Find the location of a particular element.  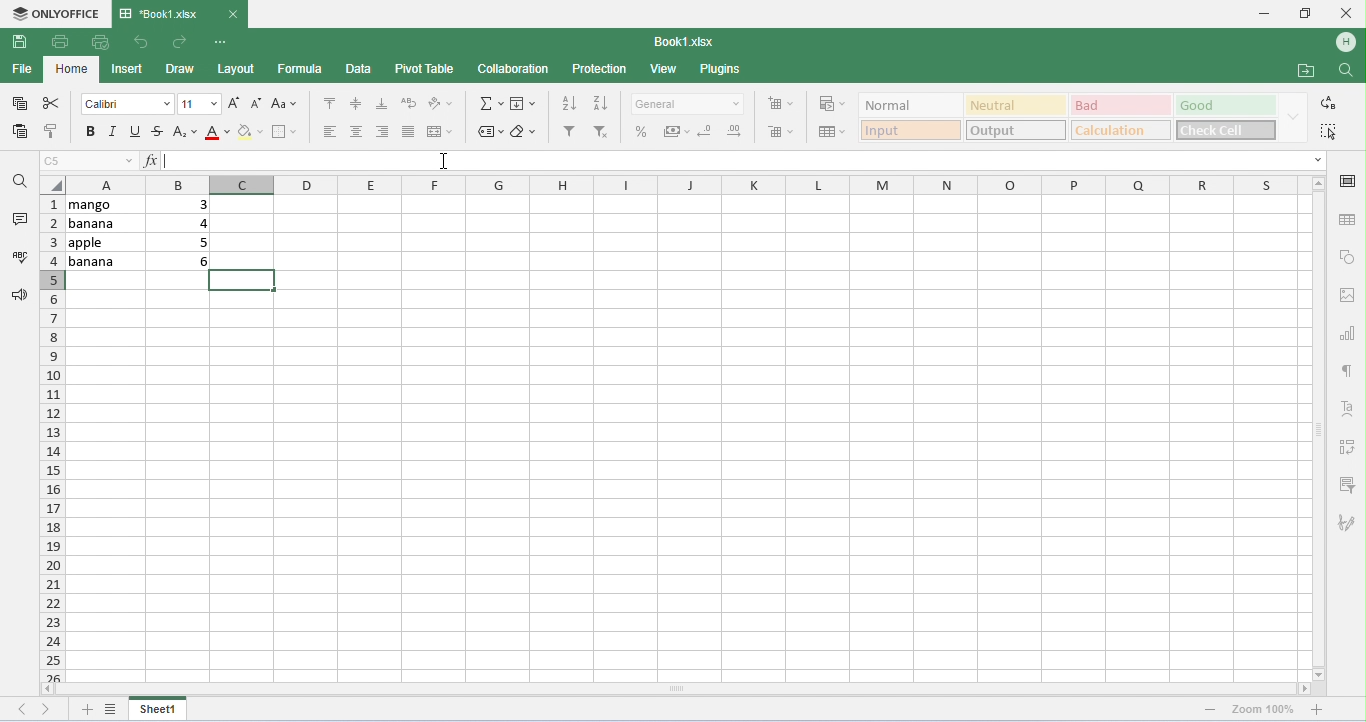

bold is located at coordinates (90, 132).